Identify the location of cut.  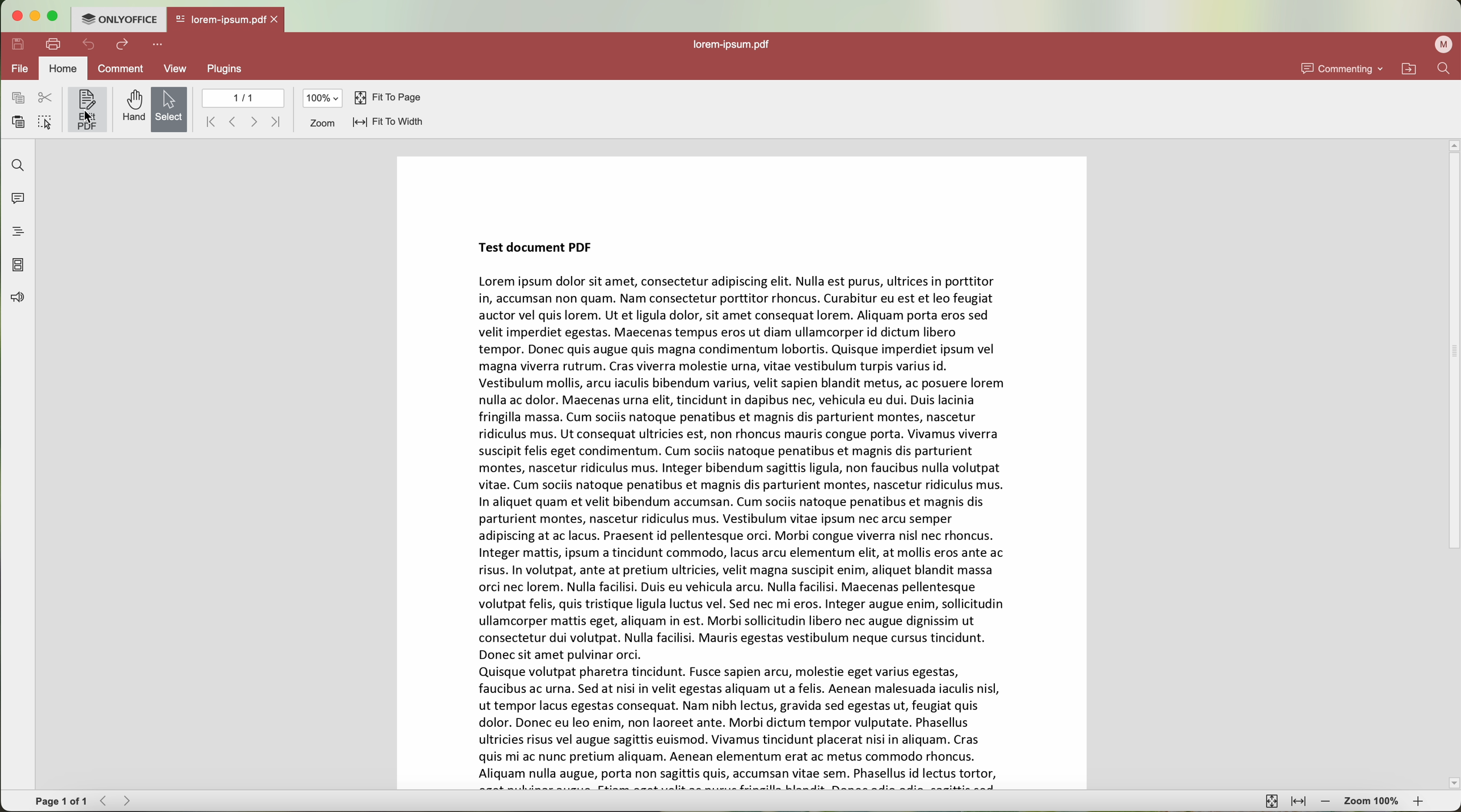
(48, 98).